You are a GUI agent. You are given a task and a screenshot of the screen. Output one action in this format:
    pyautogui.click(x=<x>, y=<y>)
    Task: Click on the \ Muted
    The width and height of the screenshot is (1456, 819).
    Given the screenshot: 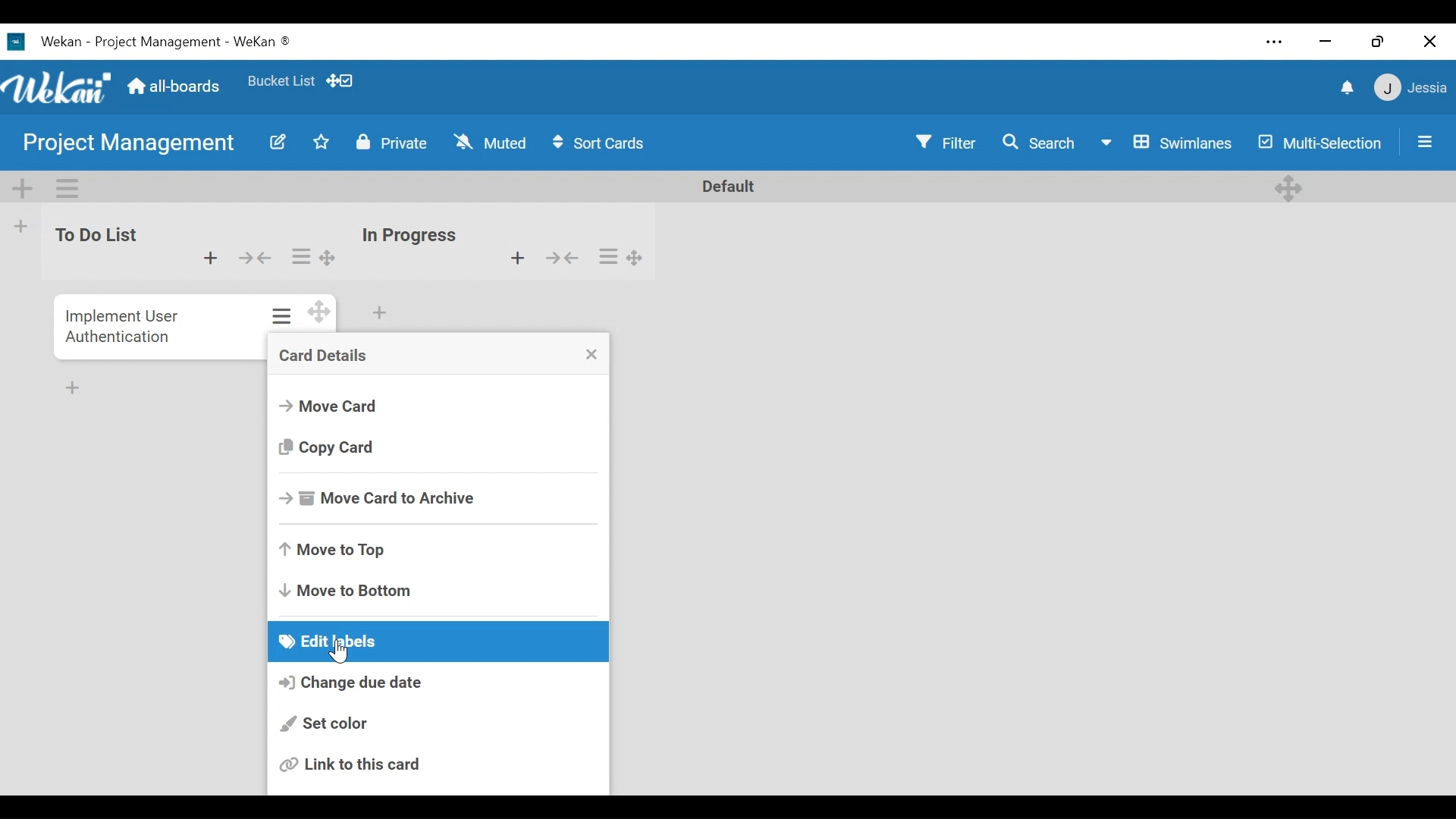 What is the action you would take?
    pyautogui.click(x=491, y=143)
    